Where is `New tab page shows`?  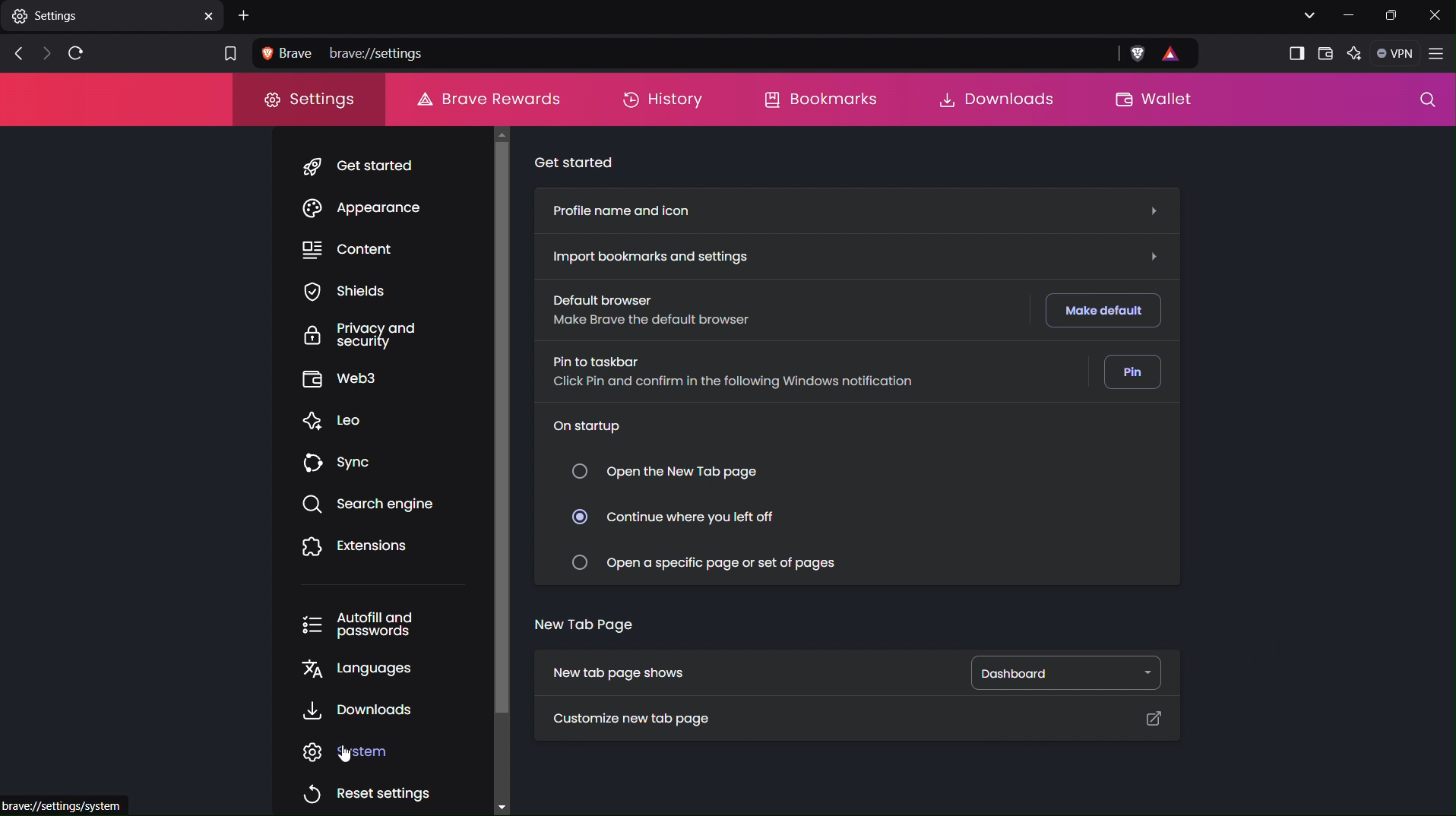 New tab page shows is located at coordinates (617, 672).